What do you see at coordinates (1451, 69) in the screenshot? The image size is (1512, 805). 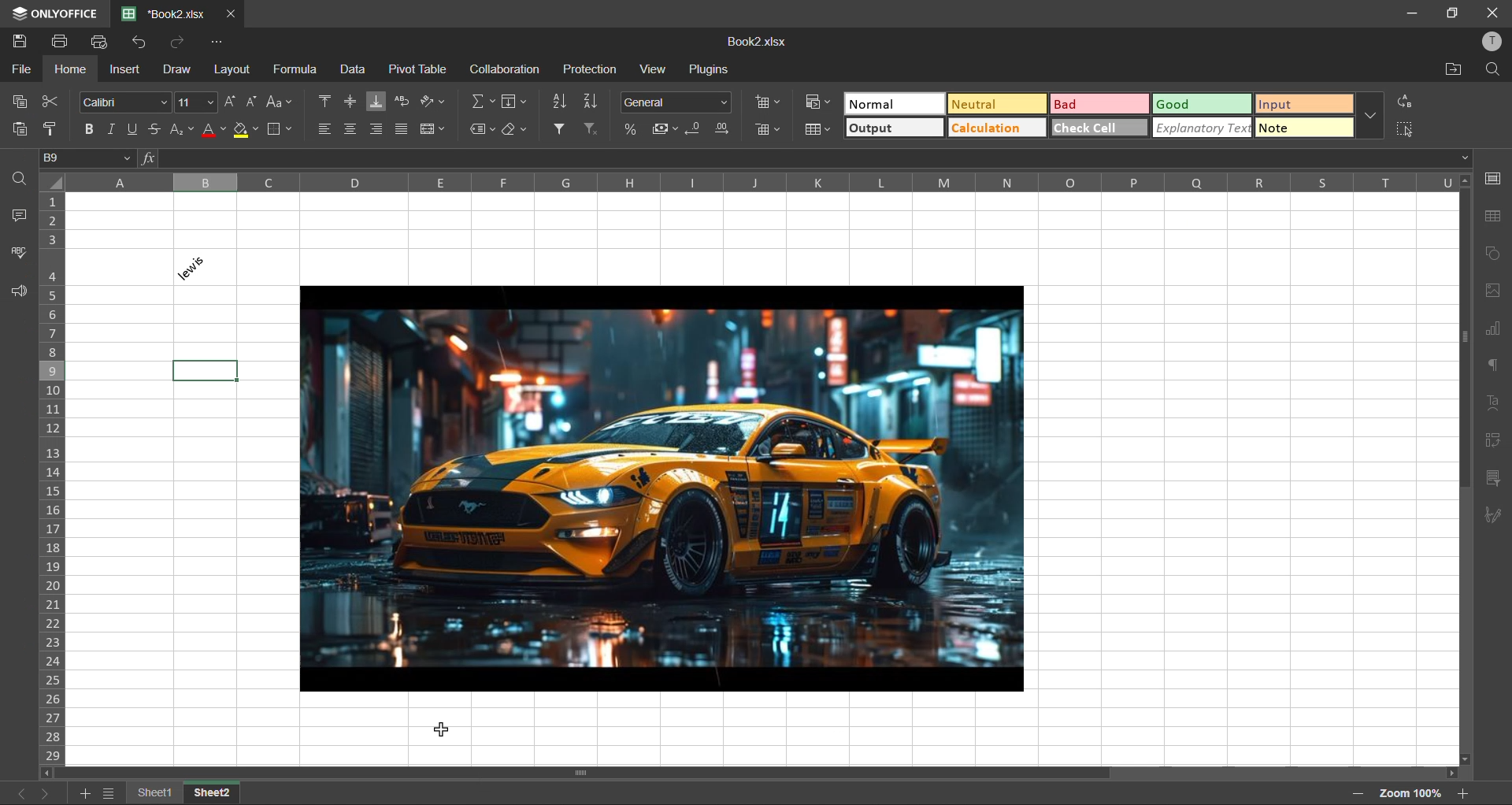 I see `open location` at bounding box center [1451, 69].